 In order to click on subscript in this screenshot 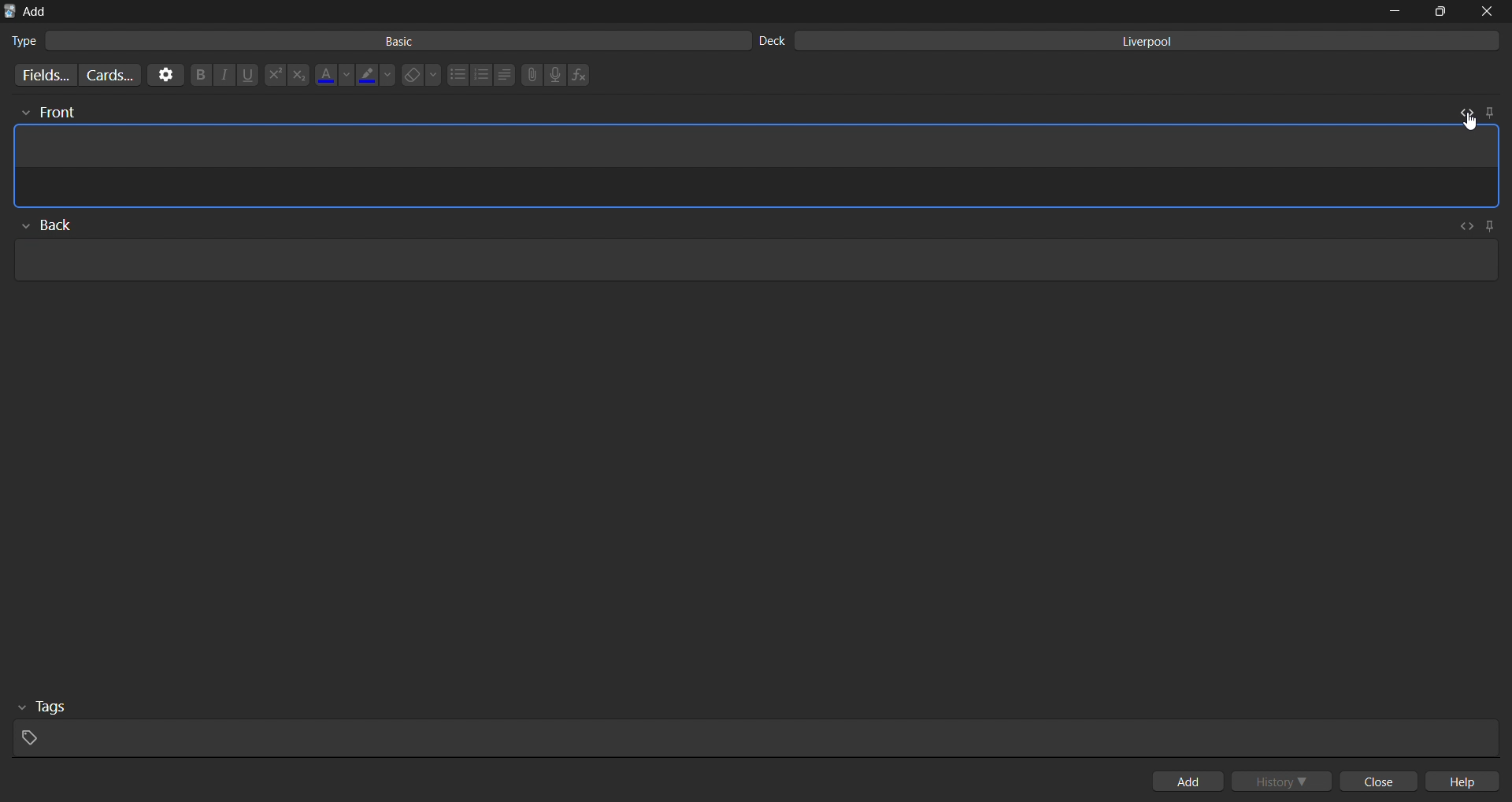, I will do `click(298, 75)`.